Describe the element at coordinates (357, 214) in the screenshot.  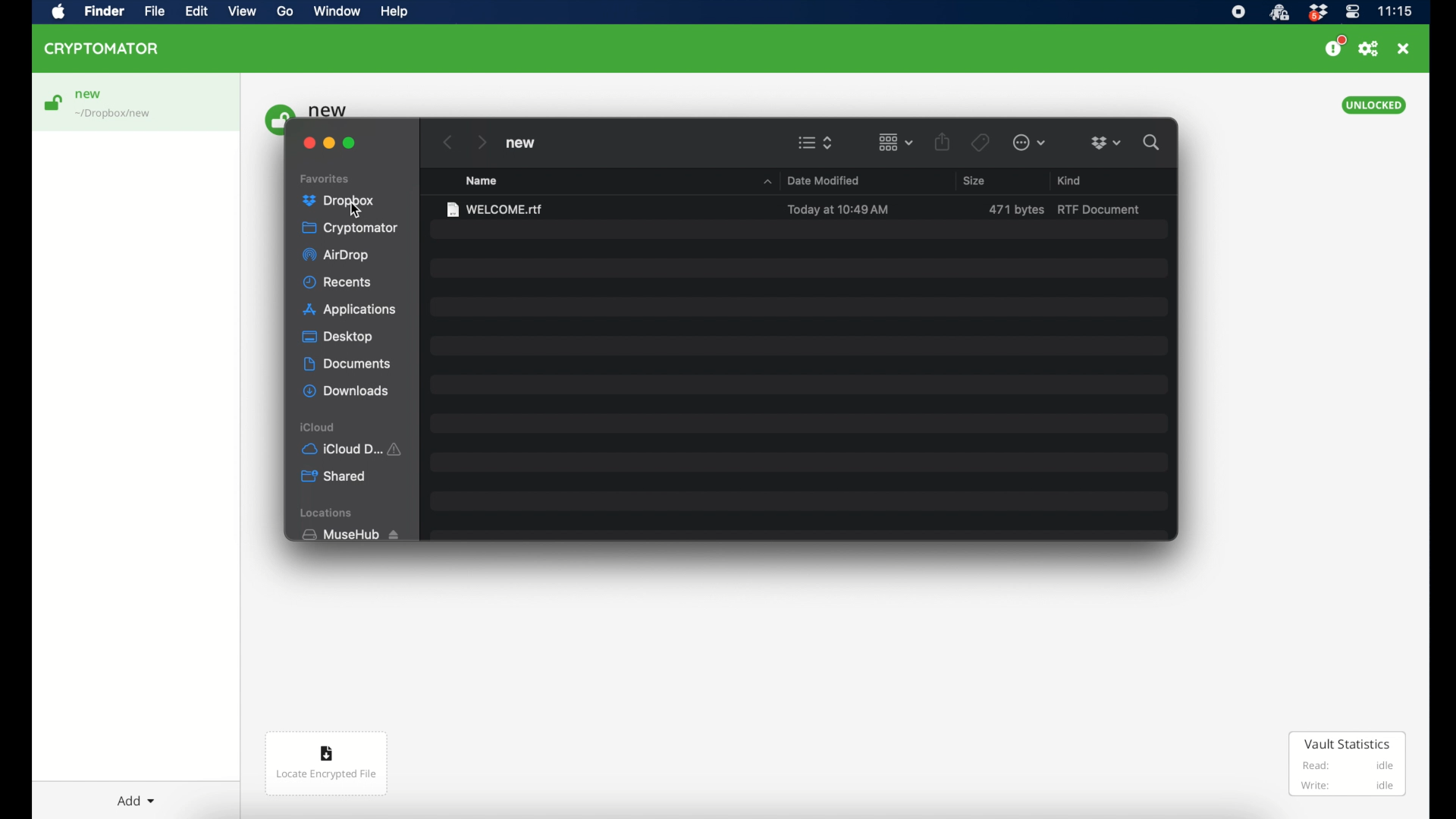
I see `cursor` at that location.